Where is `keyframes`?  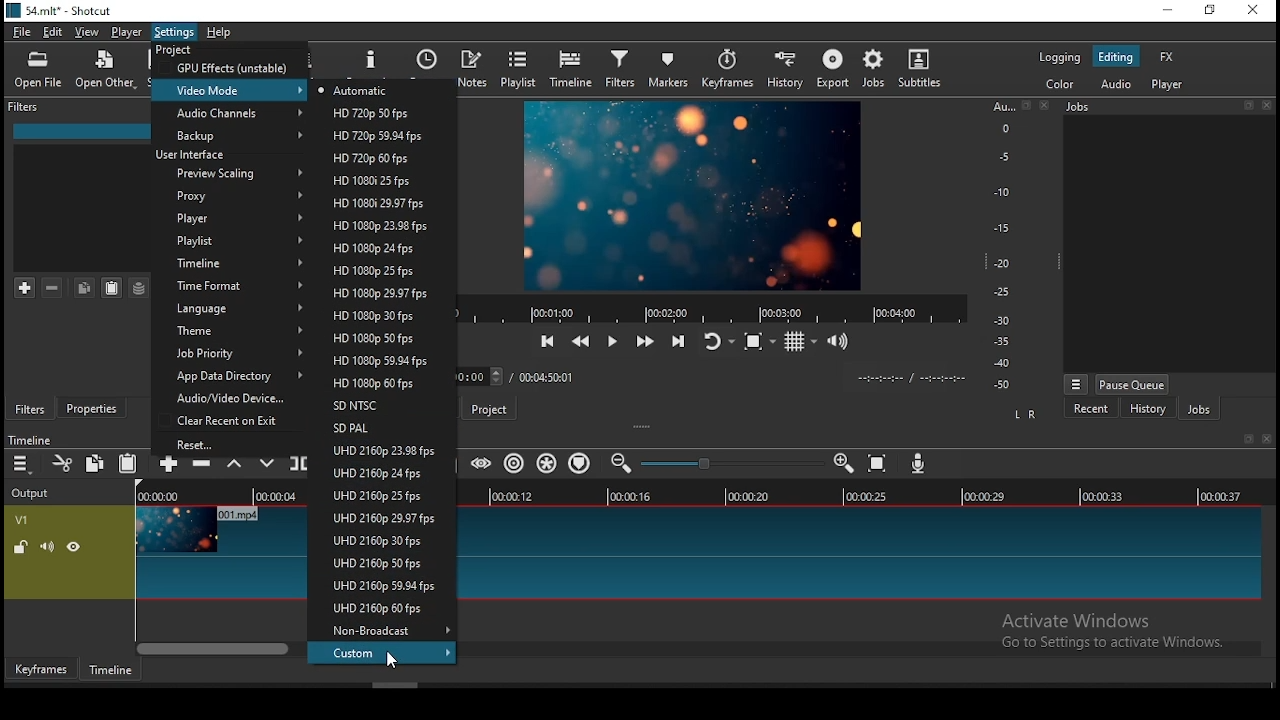 keyframes is located at coordinates (727, 72).